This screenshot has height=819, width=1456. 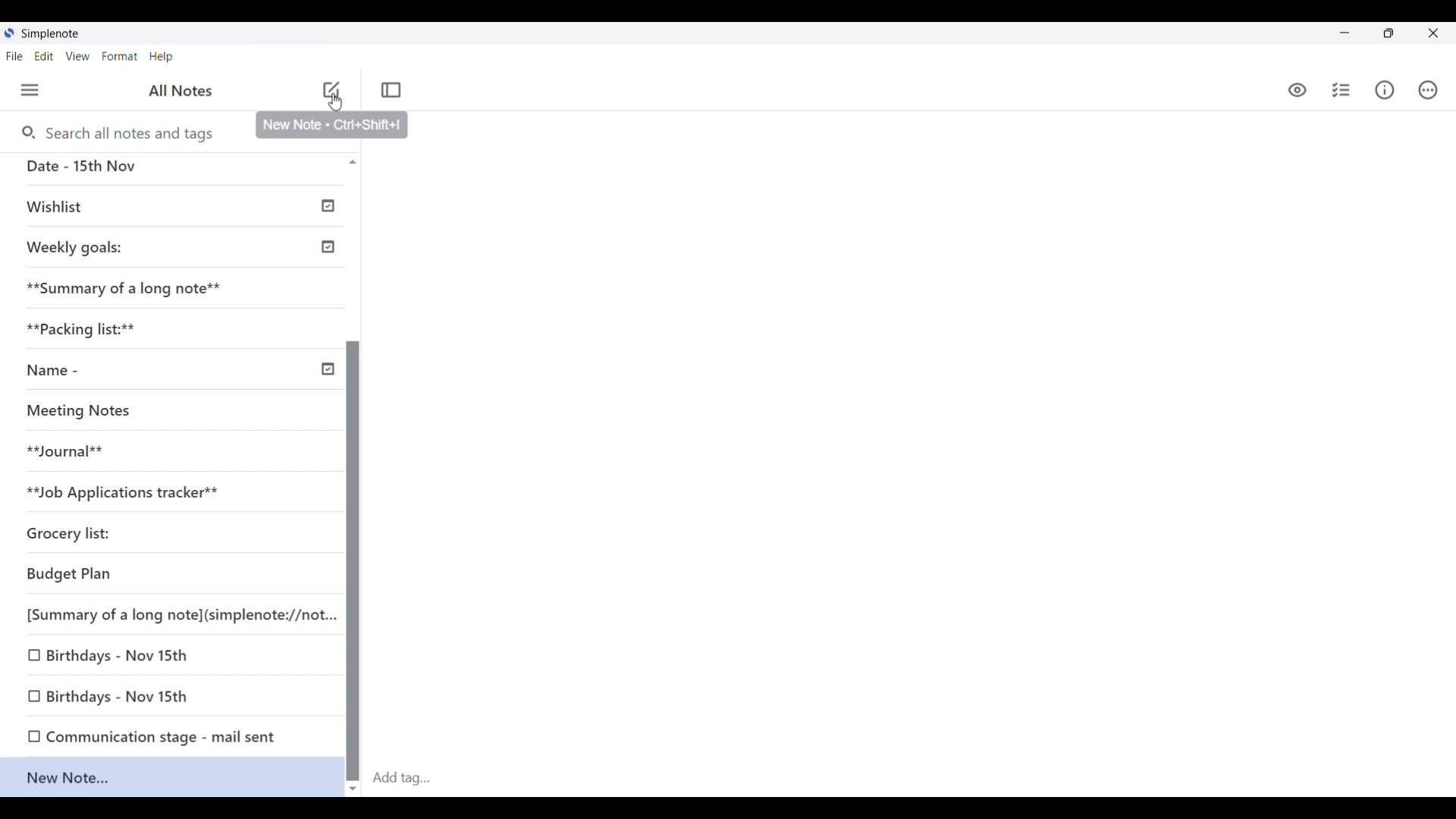 I want to click on **Journal**, so click(x=65, y=453).